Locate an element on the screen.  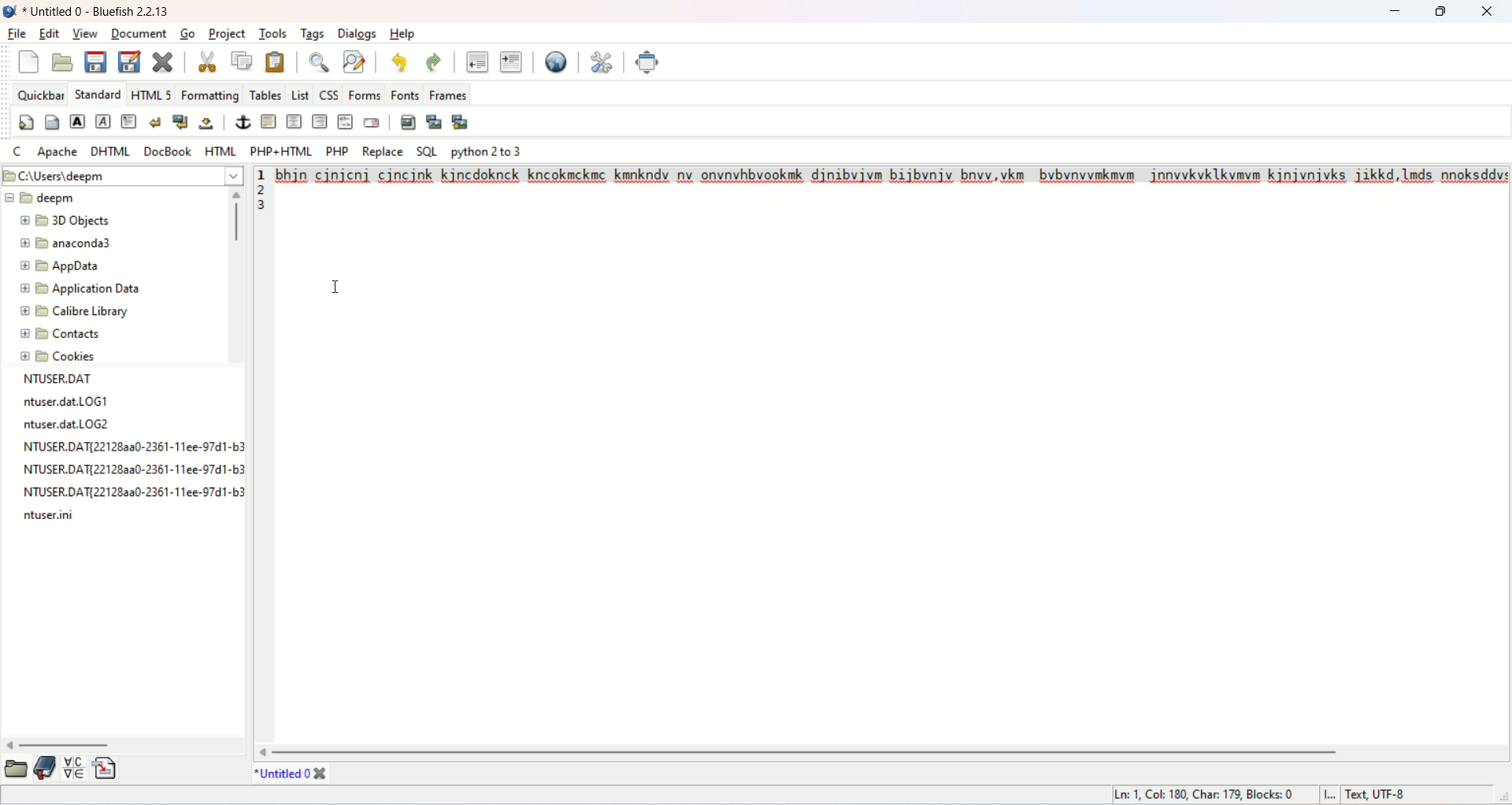
tags is located at coordinates (313, 32).